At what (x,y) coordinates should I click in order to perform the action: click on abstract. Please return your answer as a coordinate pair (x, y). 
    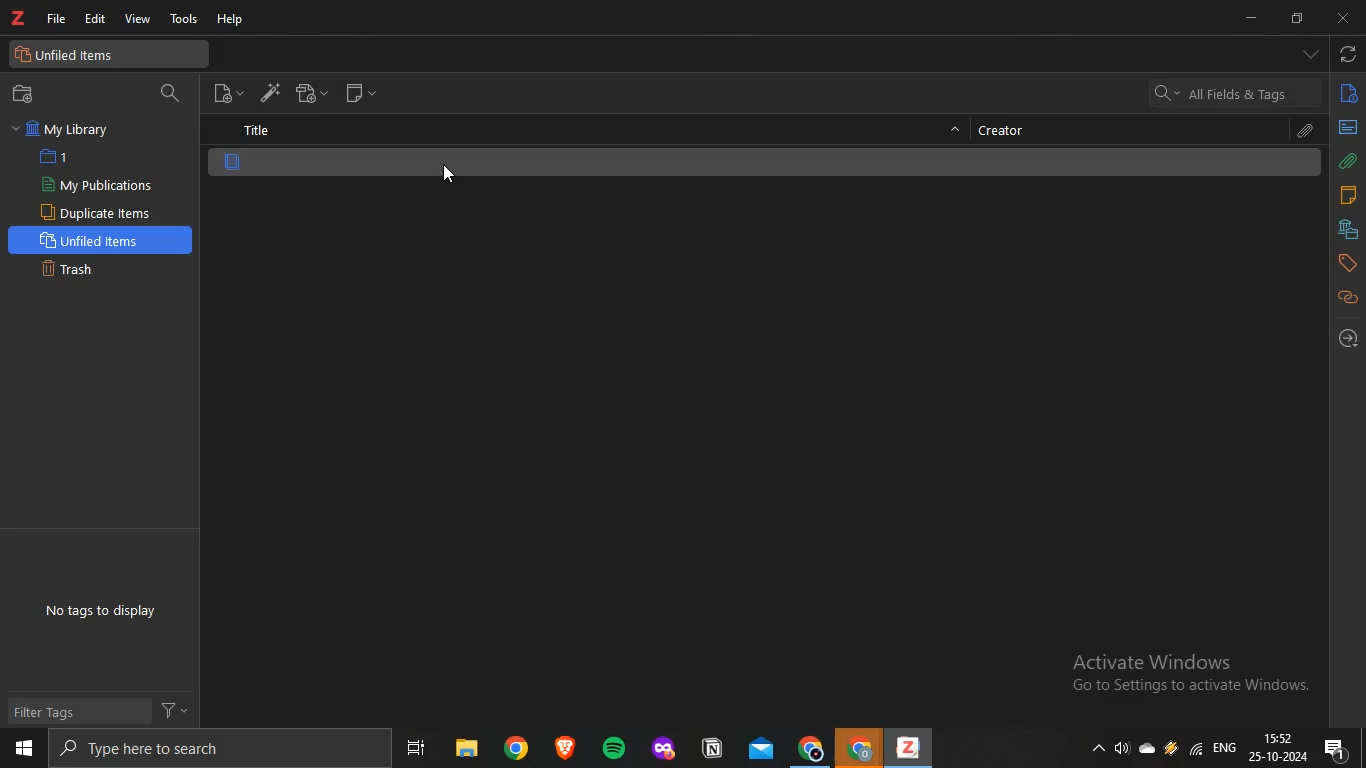
    Looking at the image, I should click on (1347, 127).